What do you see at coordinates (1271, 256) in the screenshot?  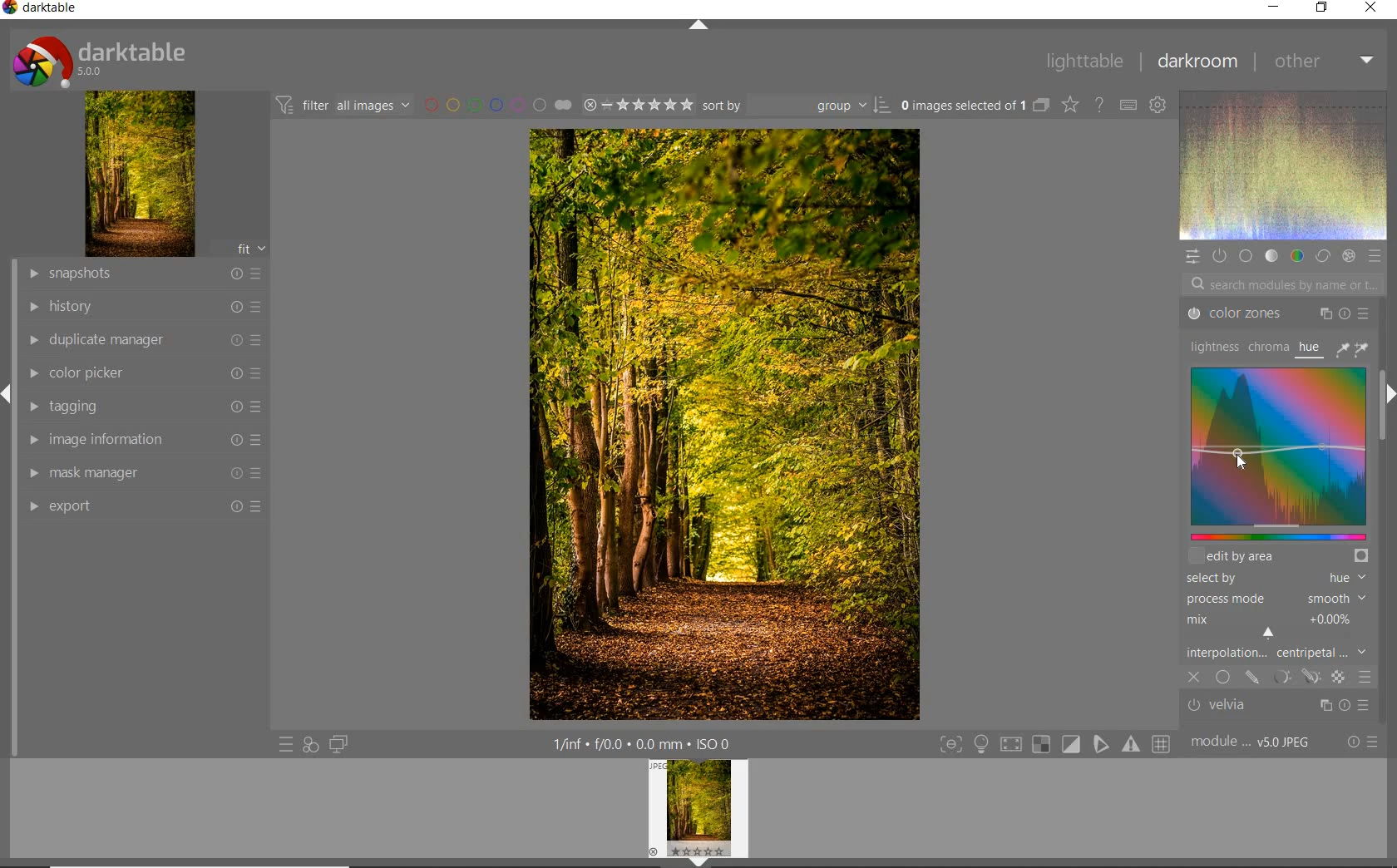 I see `TONE ` at bounding box center [1271, 256].